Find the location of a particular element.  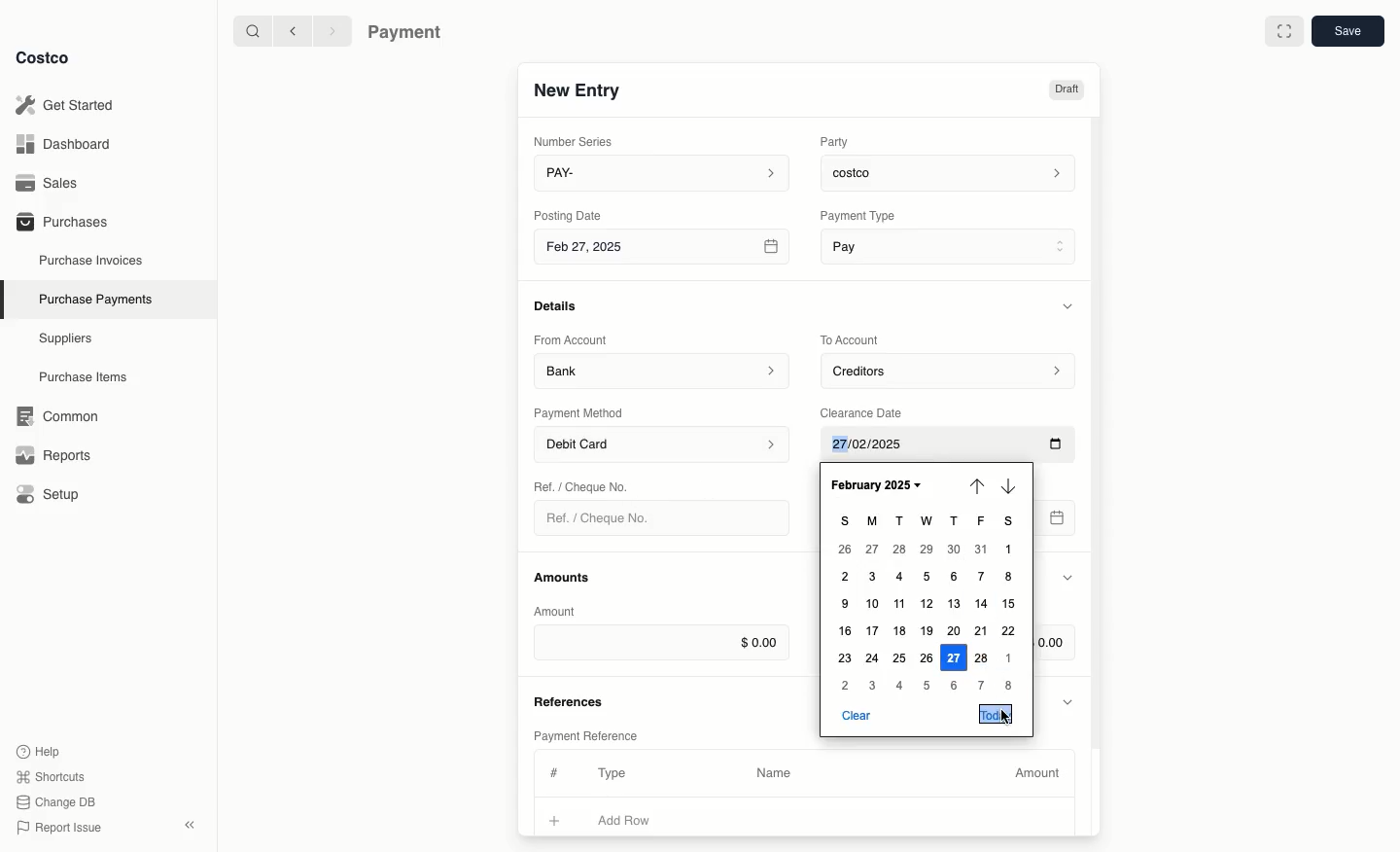

Sales is located at coordinates (53, 183).